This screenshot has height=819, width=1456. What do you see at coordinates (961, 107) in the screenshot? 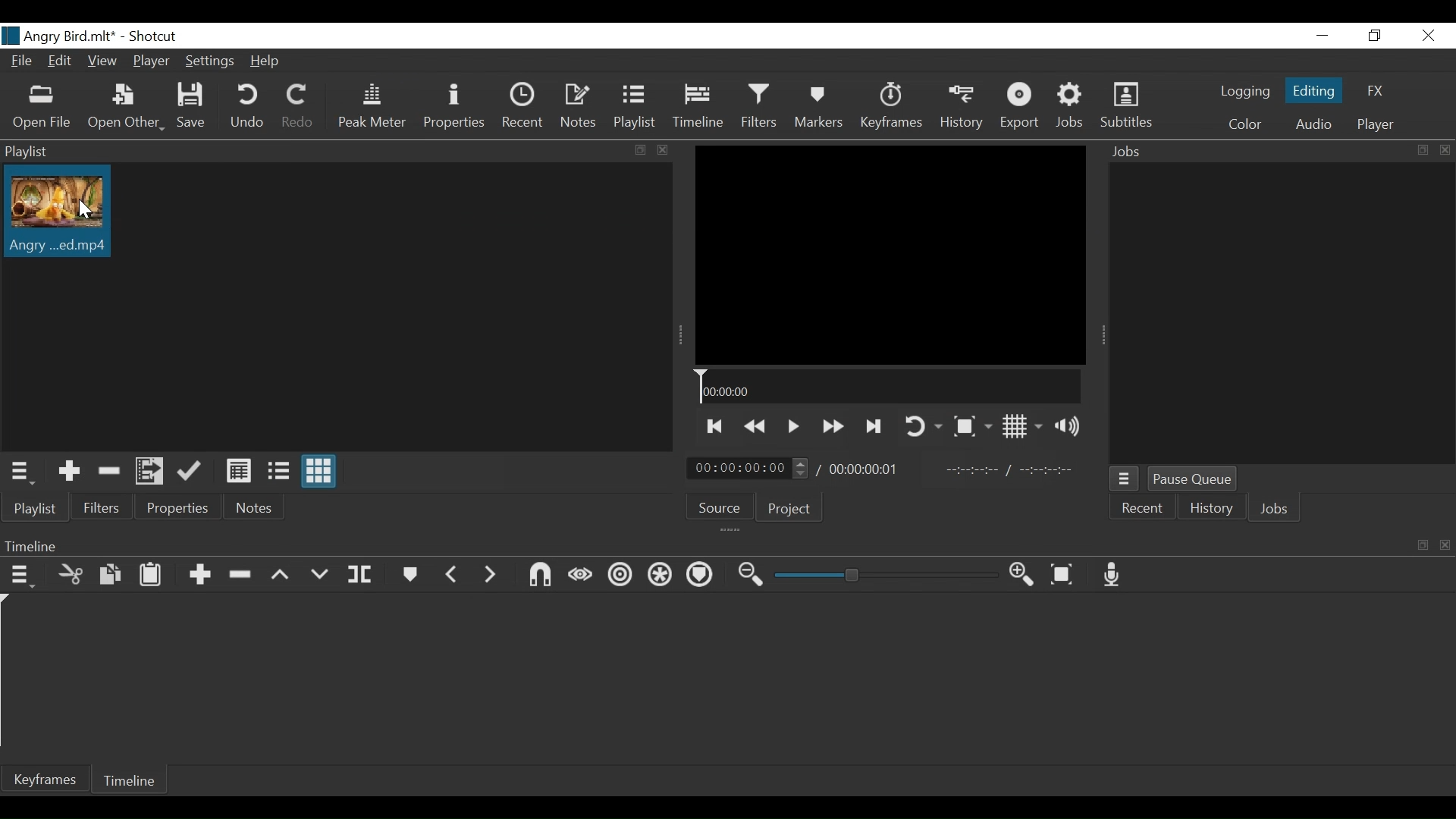
I see `History` at bounding box center [961, 107].